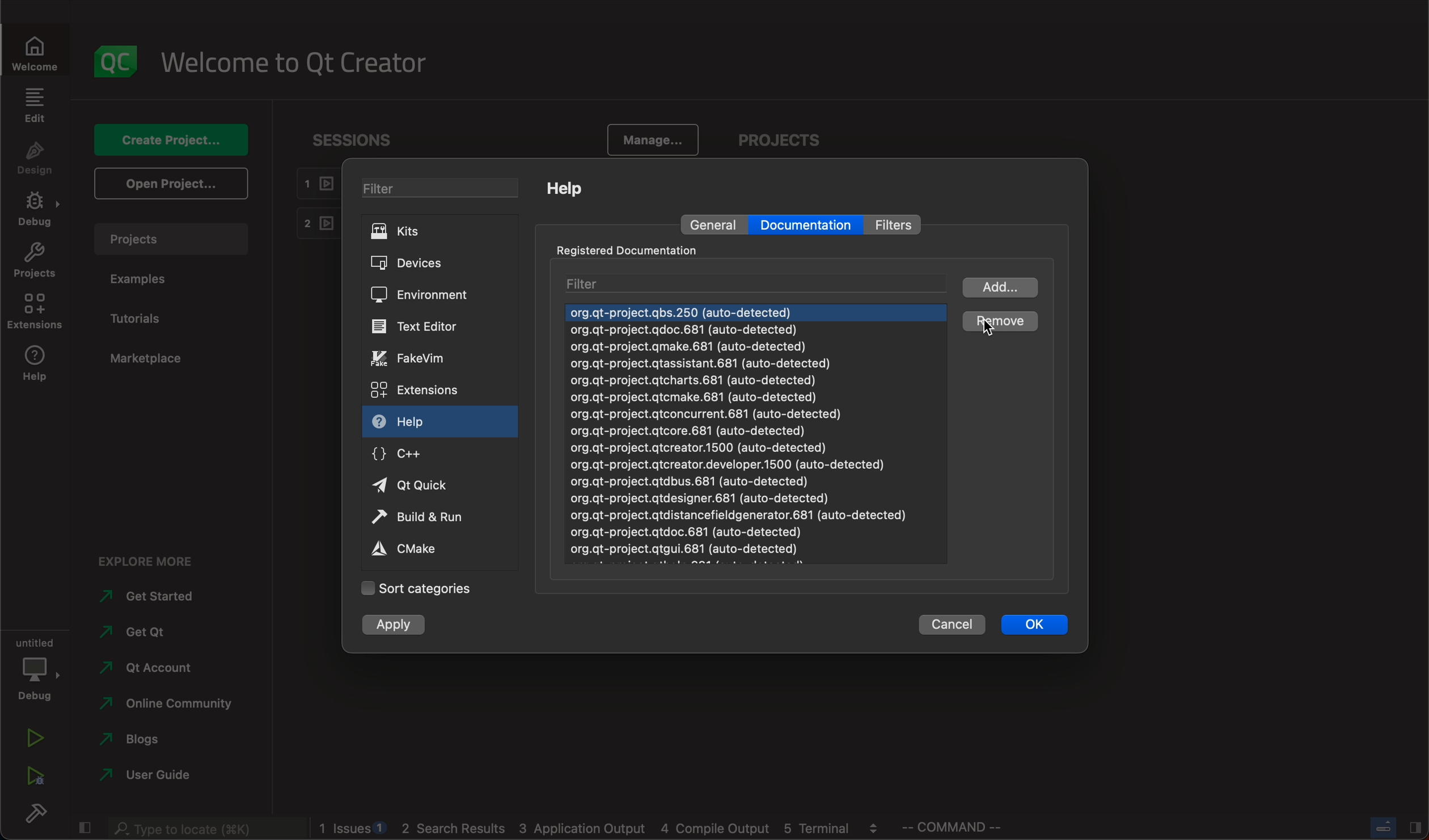 The height and width of the screenshot is (840, 1429). Describe the element at coordinates (35, 813) in the screenshot. I see `build` at that location.